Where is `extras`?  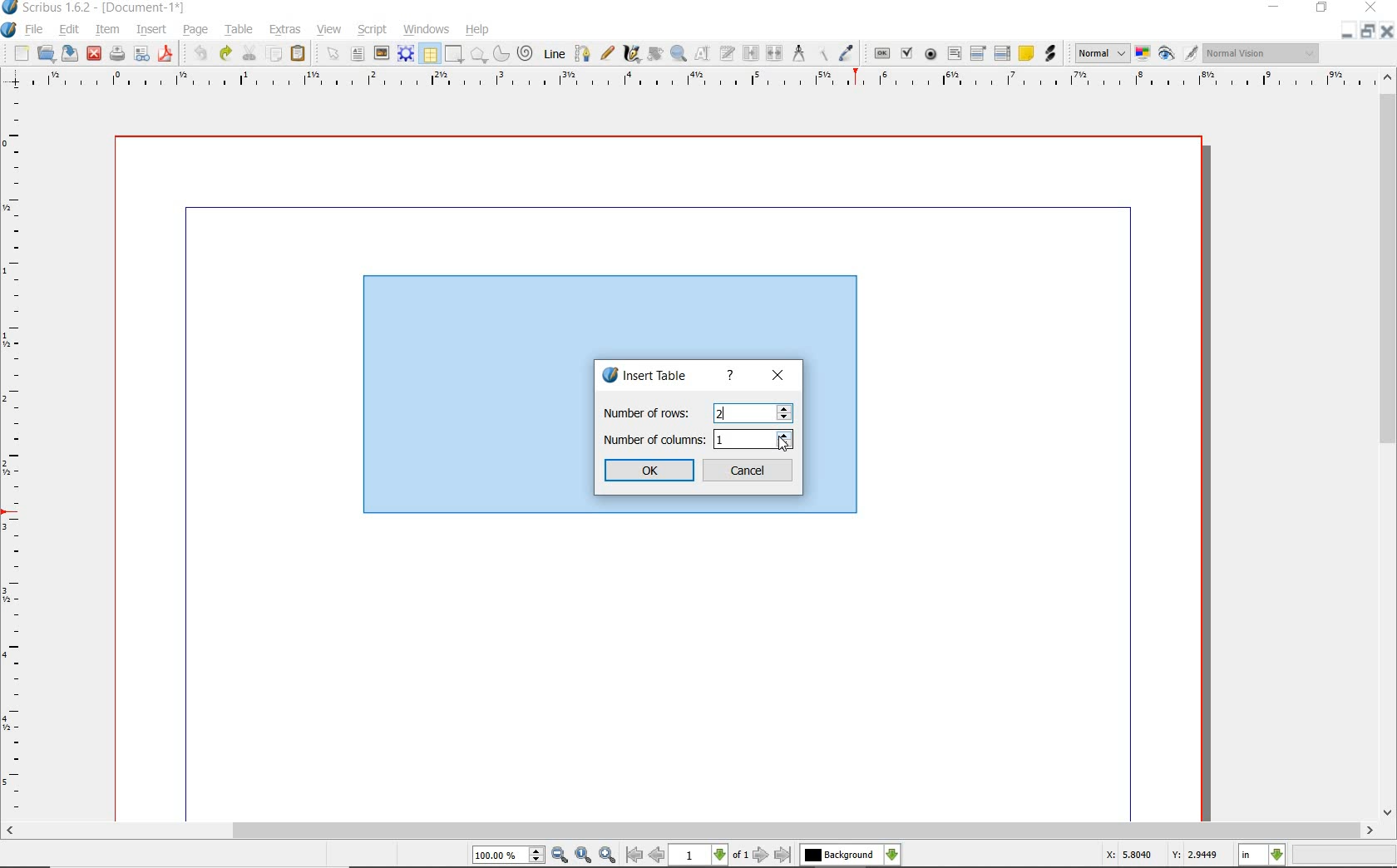 extras is located at coordinates (285, 30).